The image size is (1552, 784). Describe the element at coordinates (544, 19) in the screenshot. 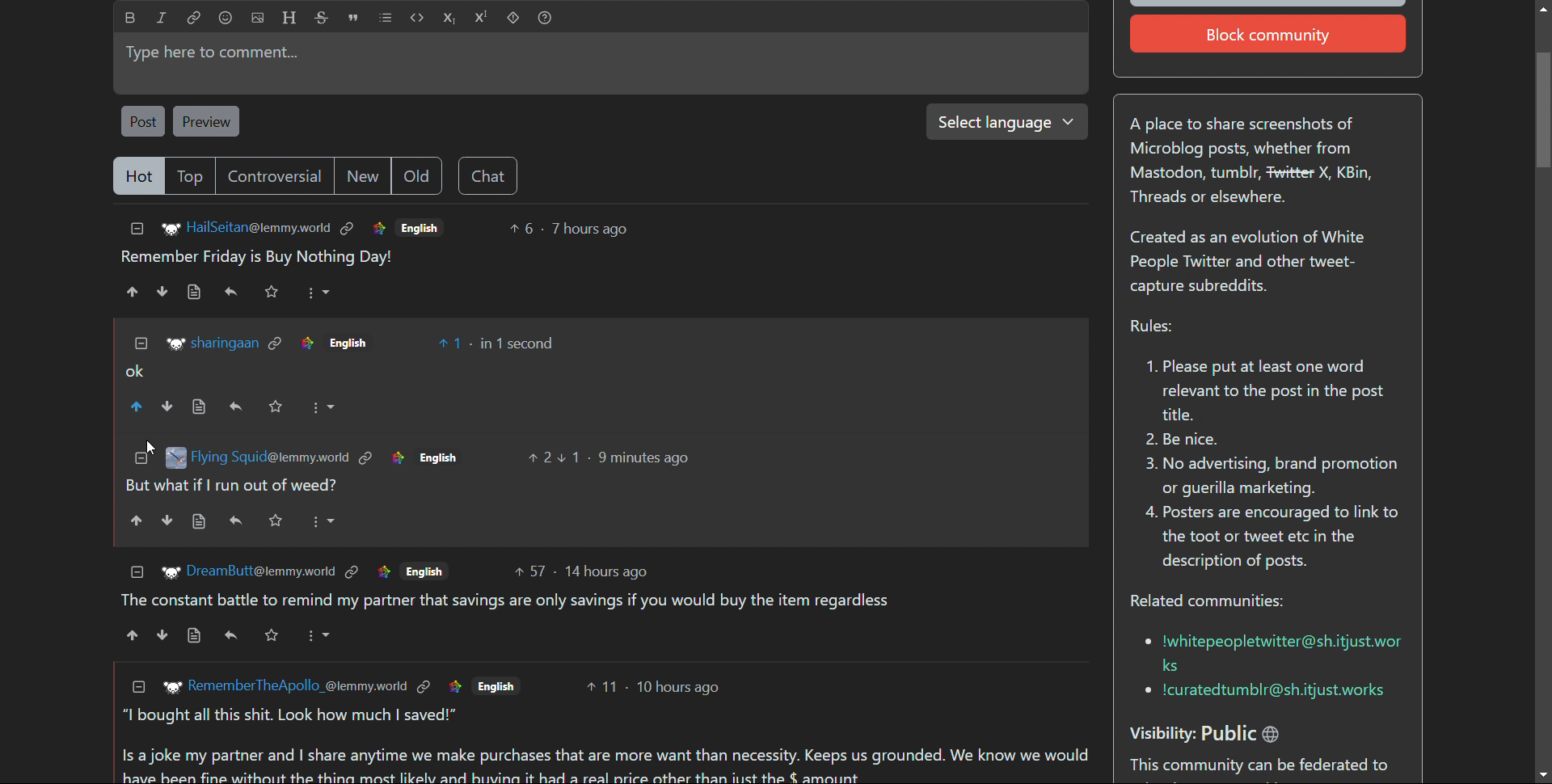

I see `help` at that location.